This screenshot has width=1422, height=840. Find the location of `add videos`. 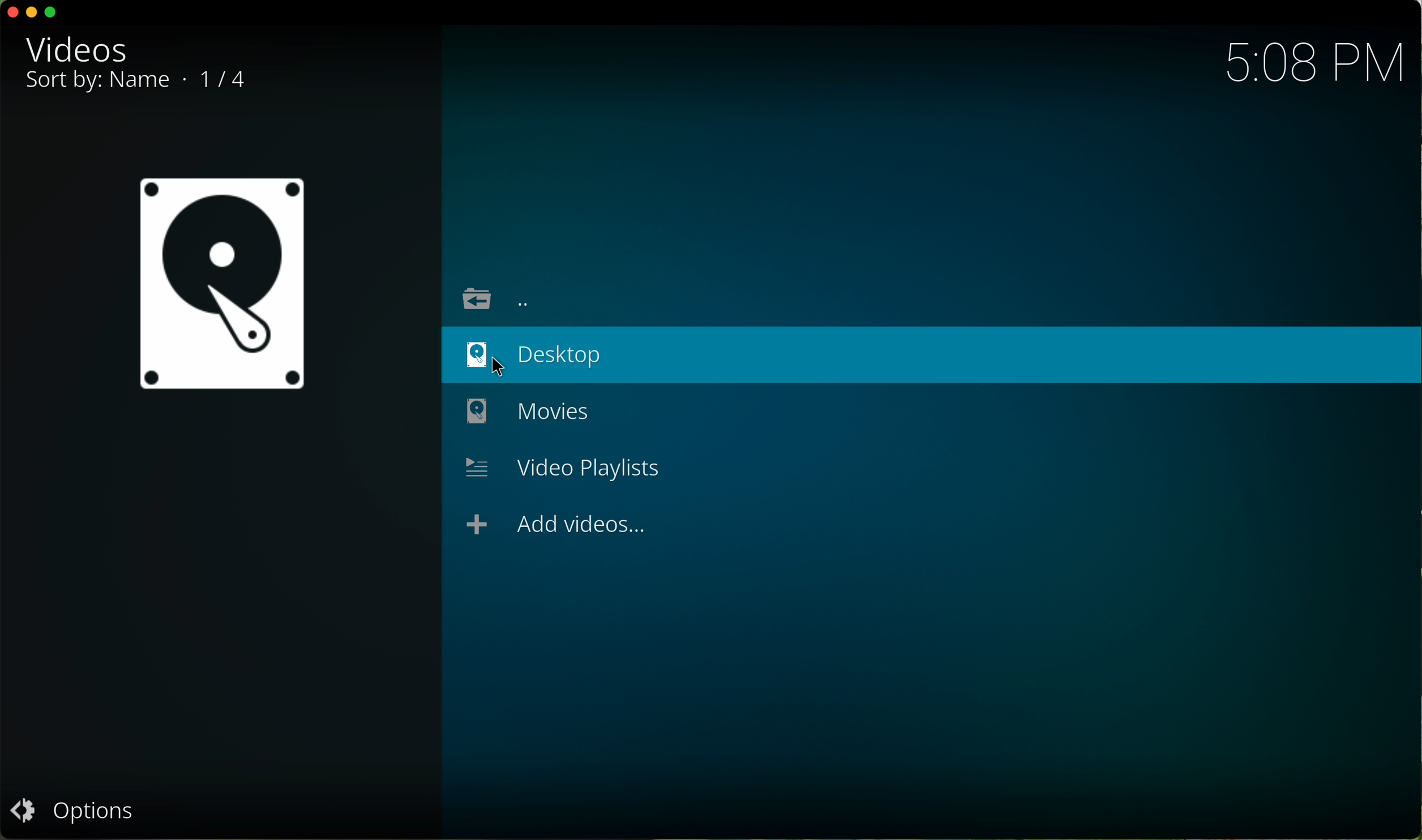

add videos is located at coordinates (555, 529).